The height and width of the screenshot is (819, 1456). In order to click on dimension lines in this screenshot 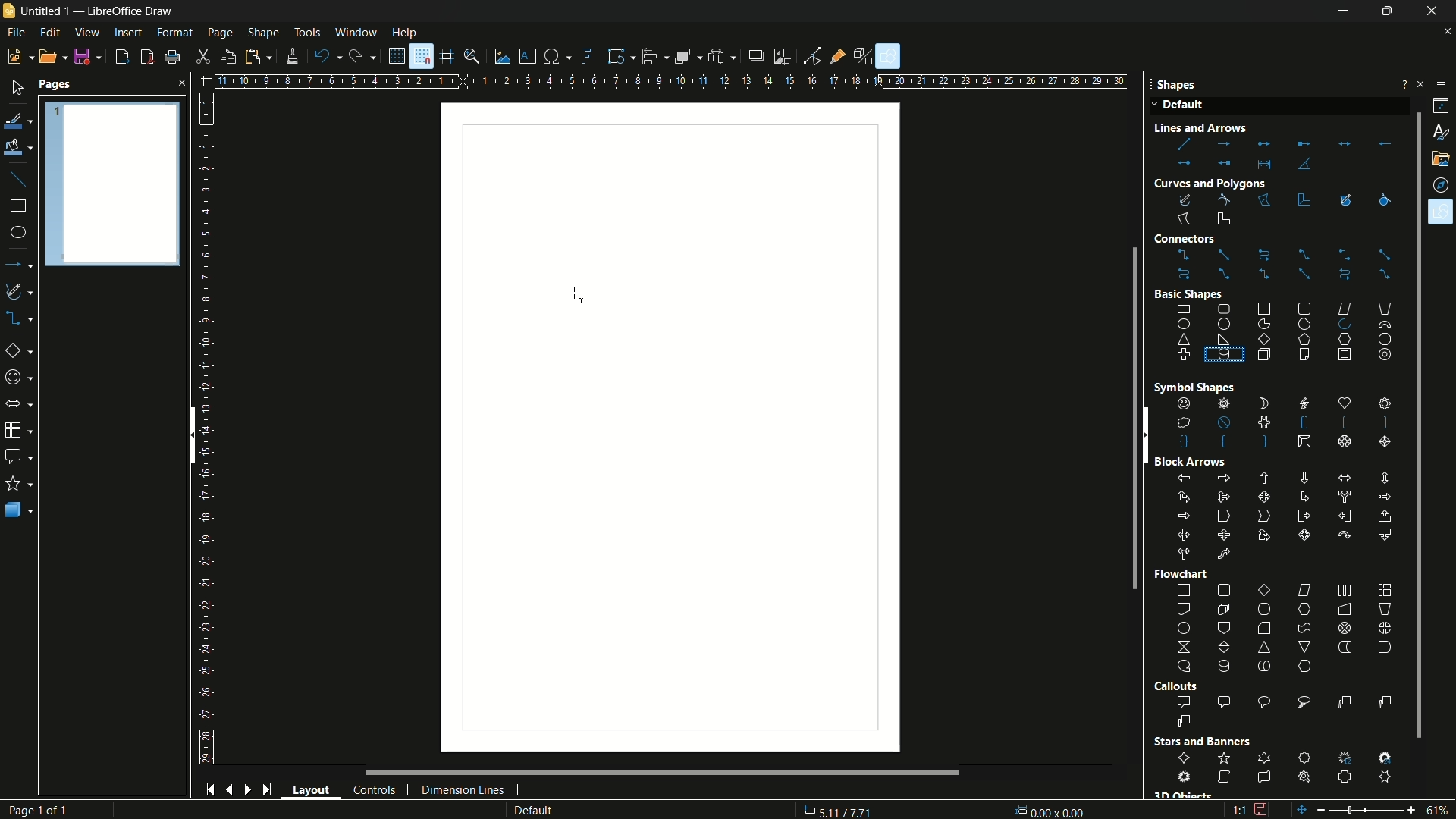, I will do `click(463, 792)`.